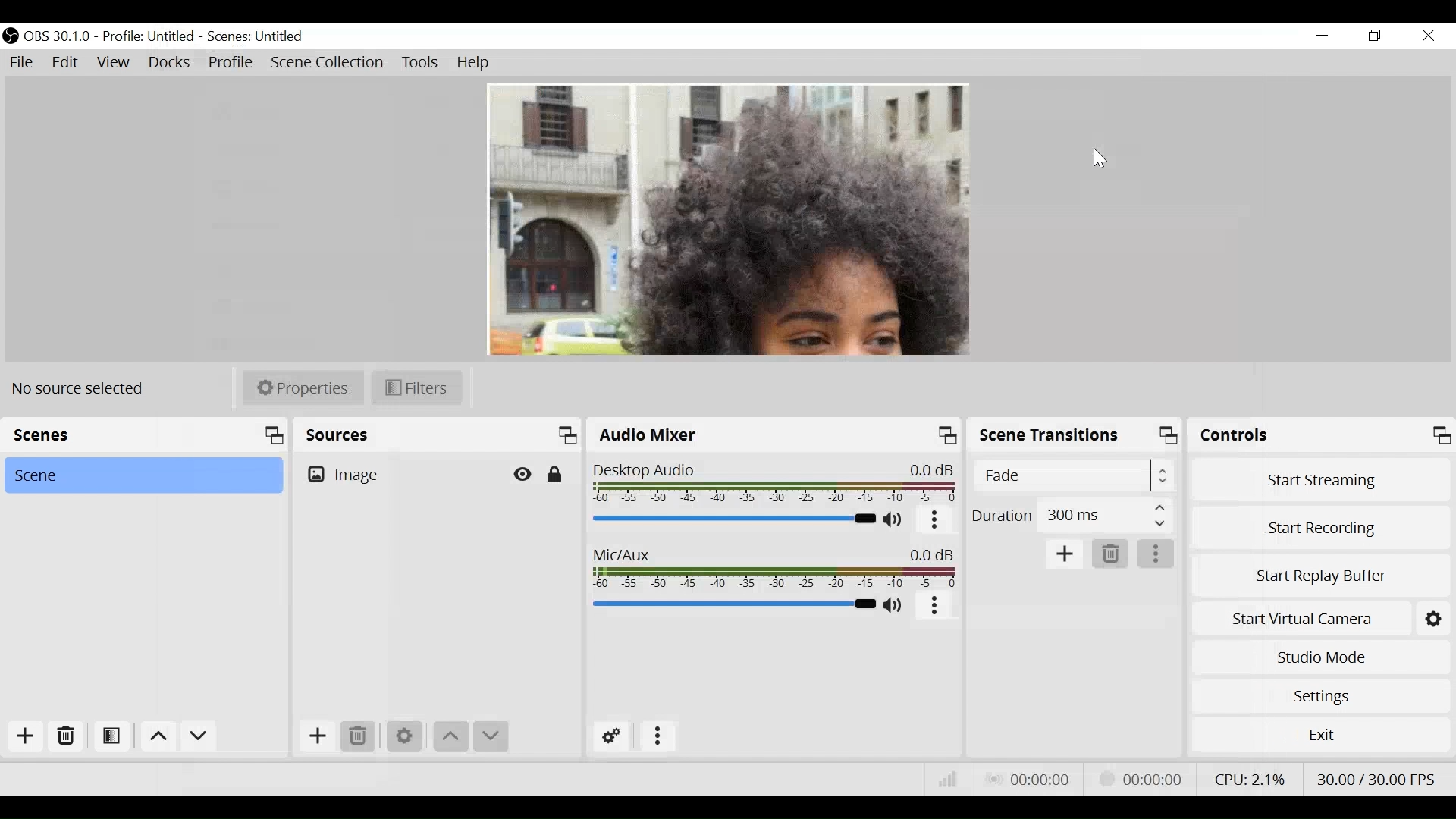 This screenshot has width=1456, height=819. I want to click on Filters, so click(417, 388).